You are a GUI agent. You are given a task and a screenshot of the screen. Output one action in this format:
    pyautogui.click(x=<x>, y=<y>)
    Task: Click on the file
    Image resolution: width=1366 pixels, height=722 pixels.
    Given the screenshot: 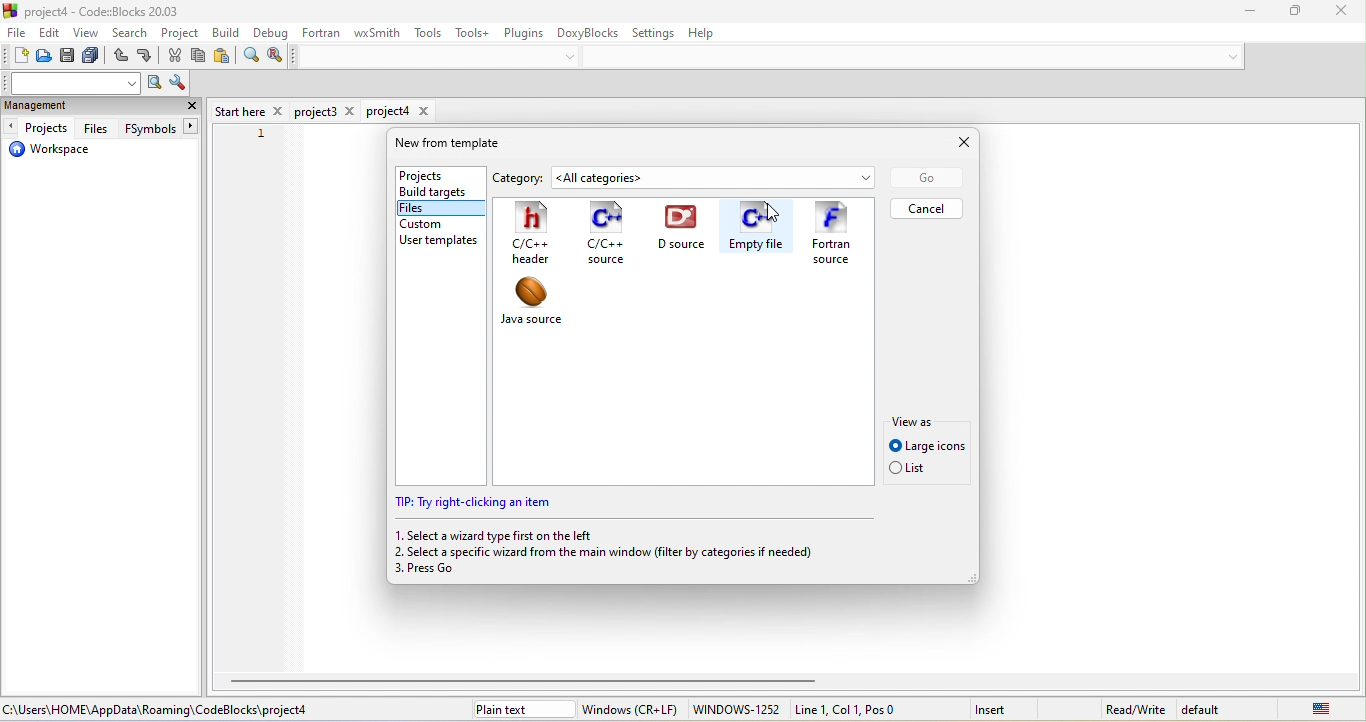 What is the action you would take?
    pyautogui.click(x=16, y=35)
    